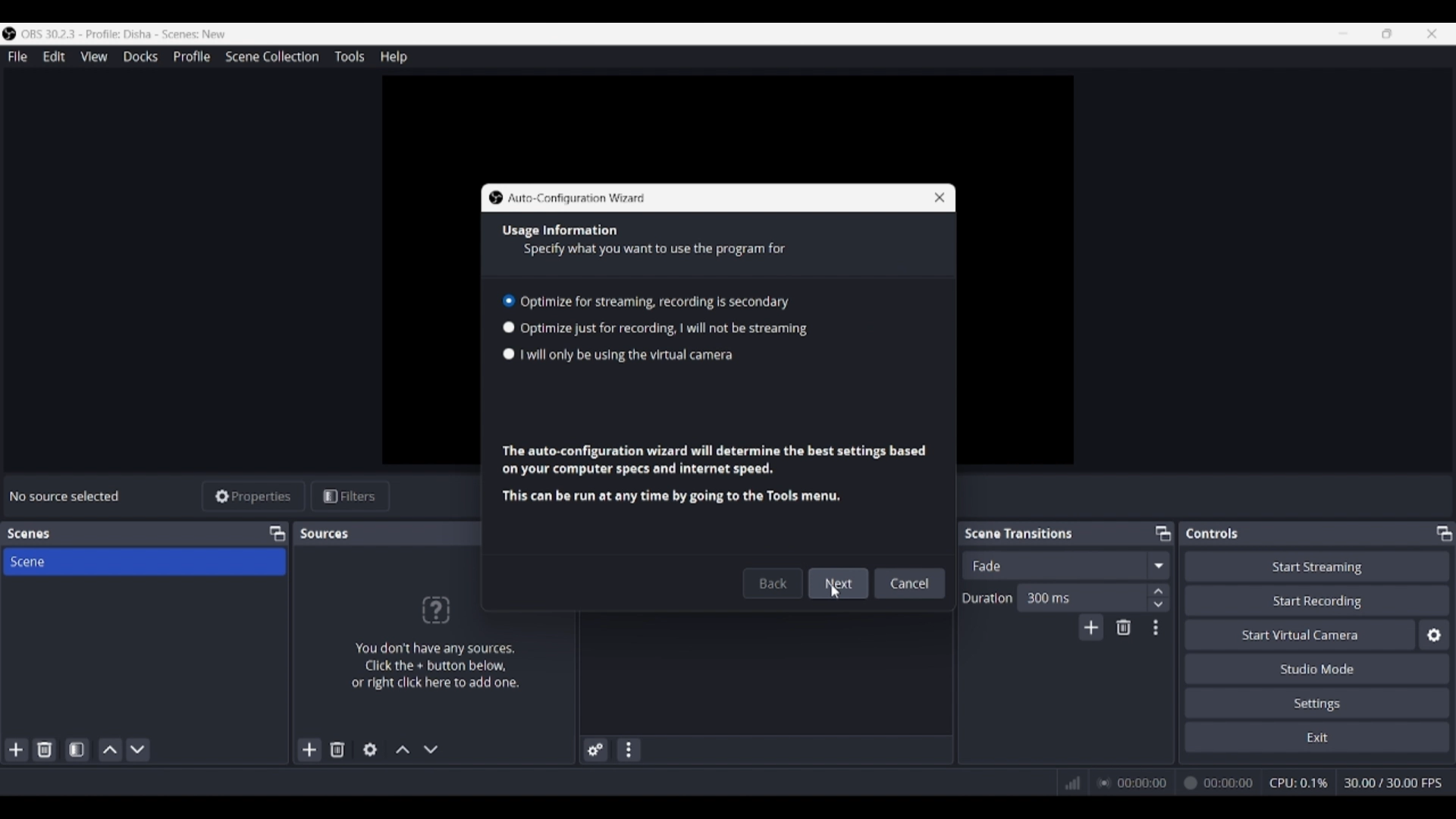  What do you see at coordinates (434, 642) in the screenshot?
I see `Panel logo and text` at bounding box center [434, 642].